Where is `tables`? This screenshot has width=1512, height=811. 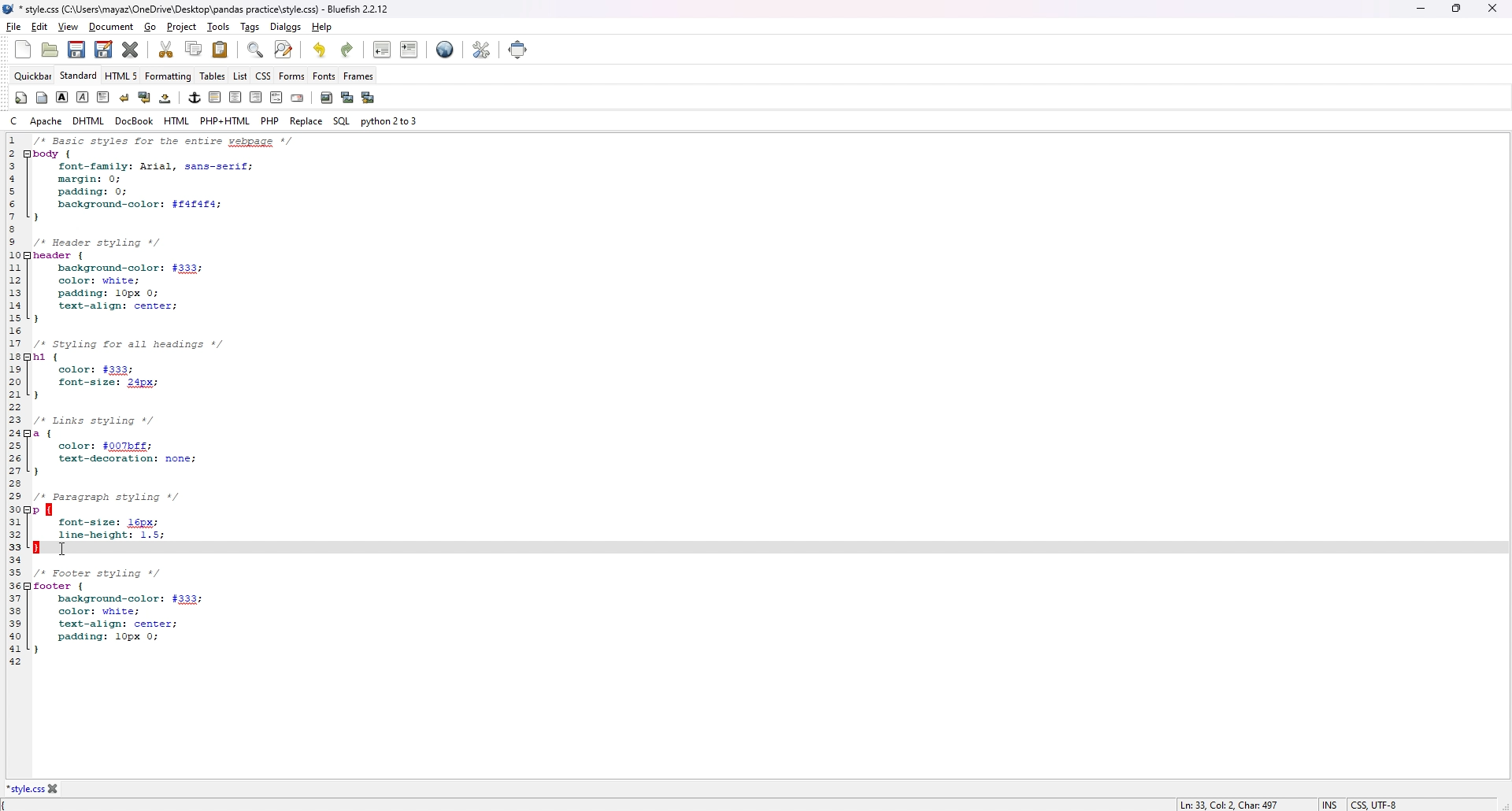 tables is located at coordinates (213, 76).